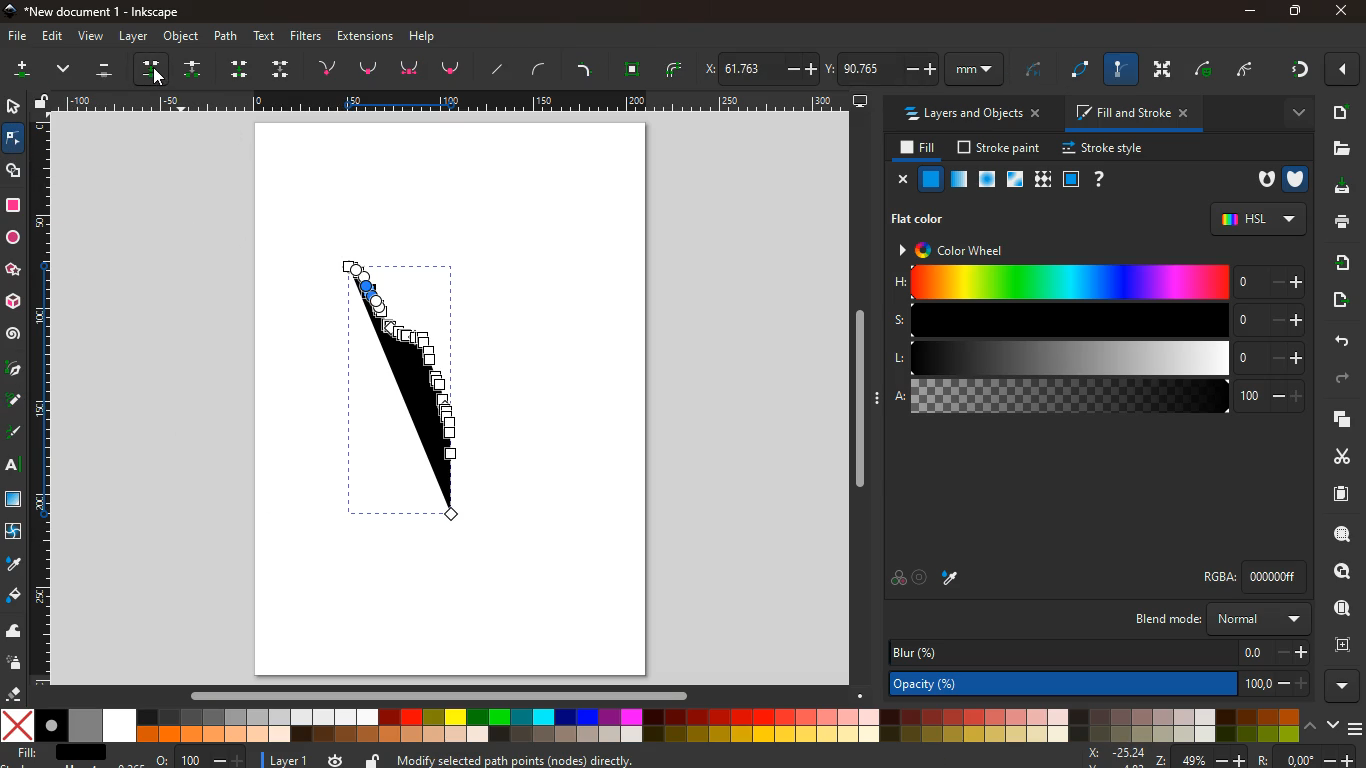  Describe the element at coordinates (90, 37) in the screenshot. I see `view` at that location.